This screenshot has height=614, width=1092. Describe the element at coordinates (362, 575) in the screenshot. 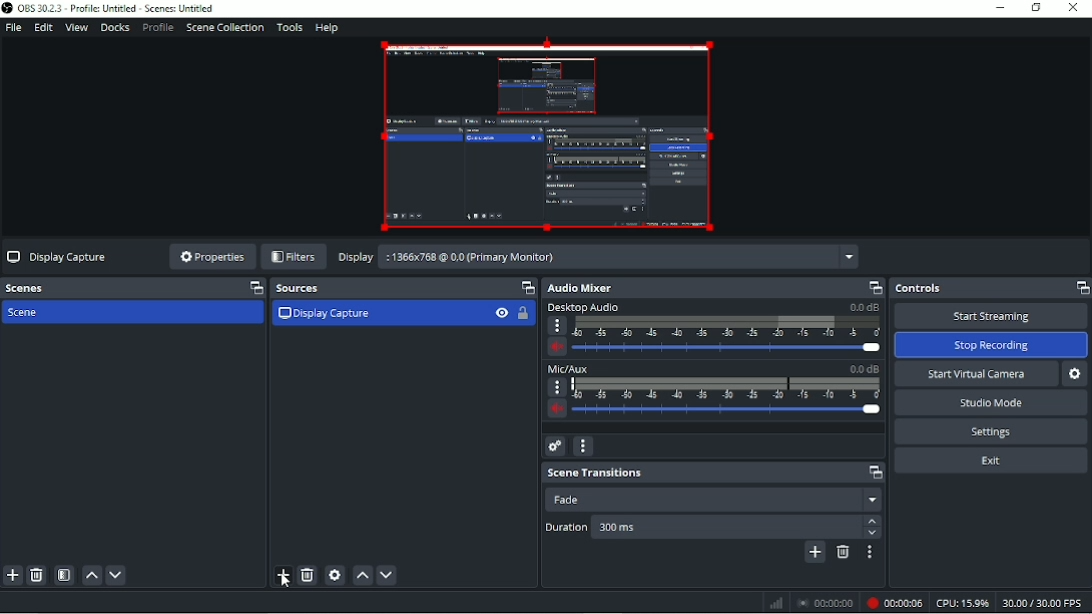

I see `Move source(s) up` at that location.